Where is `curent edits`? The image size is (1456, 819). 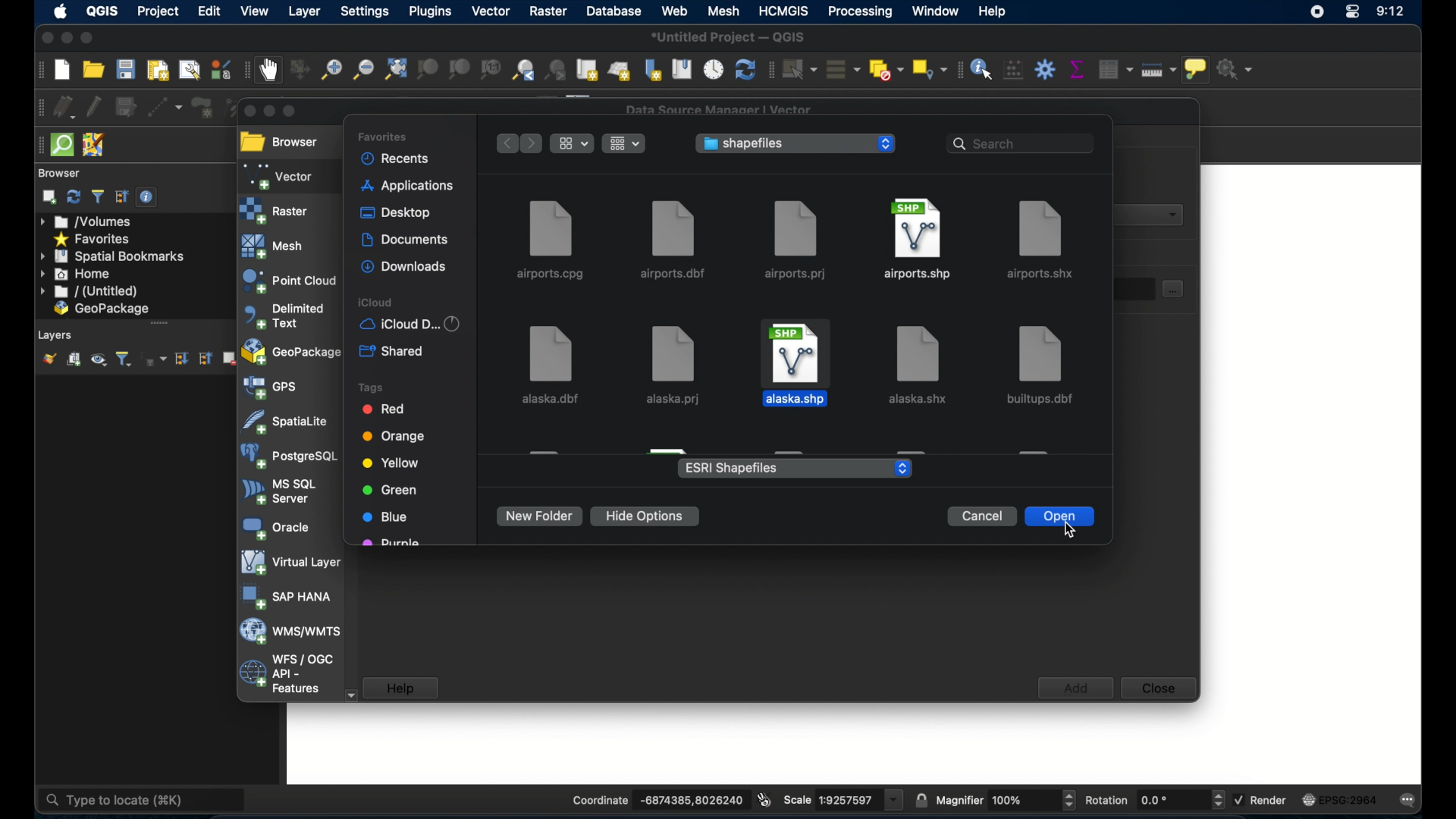
curent edits is located at coordinates (65, 107).